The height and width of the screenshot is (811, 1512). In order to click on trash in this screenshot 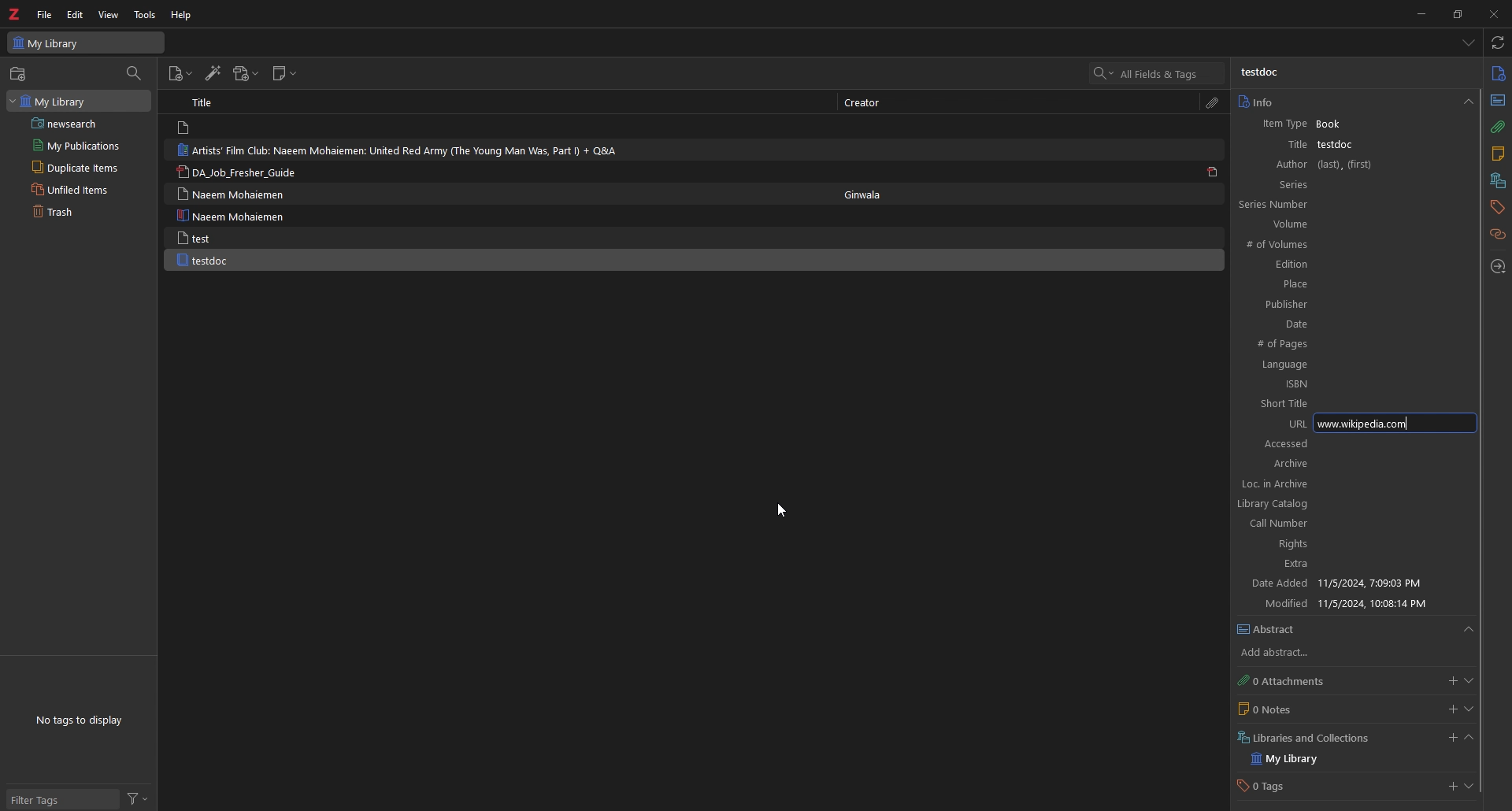, I will do `click(72, 212)`.